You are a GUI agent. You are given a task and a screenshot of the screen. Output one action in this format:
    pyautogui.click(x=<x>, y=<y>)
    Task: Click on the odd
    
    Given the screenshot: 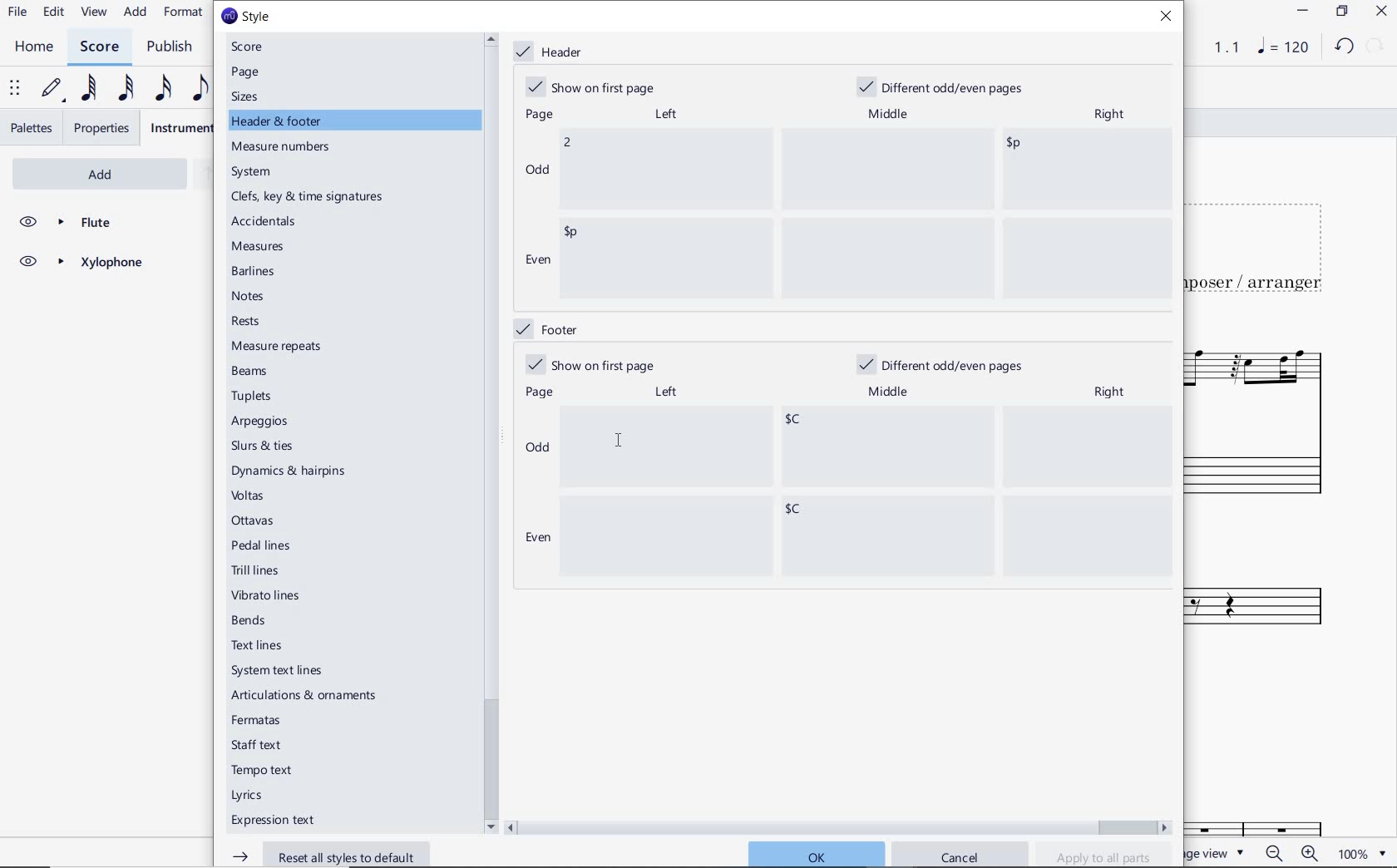 What is the action you would take?
    pyautogui.click(x=537, y=169)
    